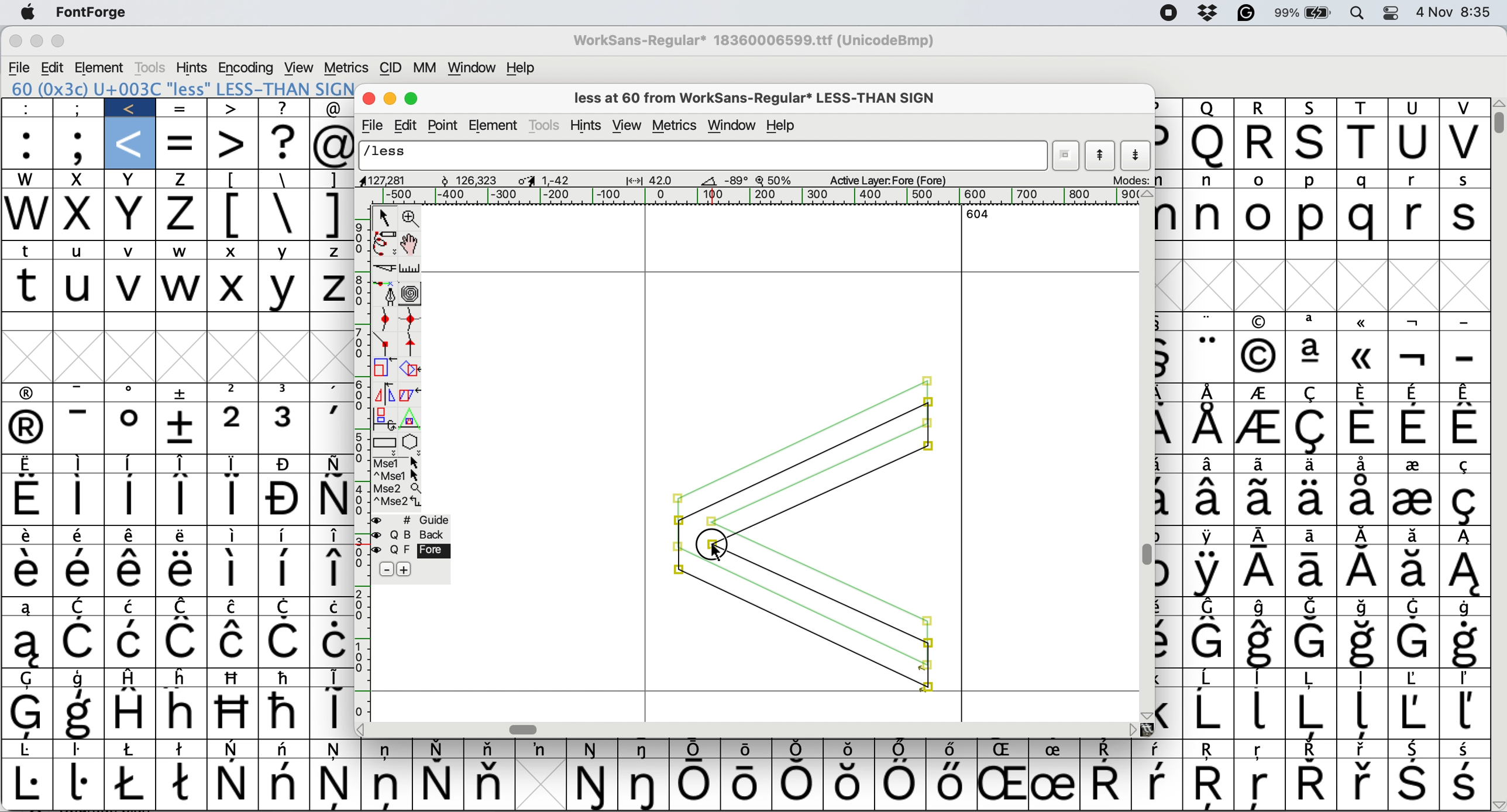 The height and width of the screenshot is (812, 1507). I want to click on Symbol, so click(29, 609).